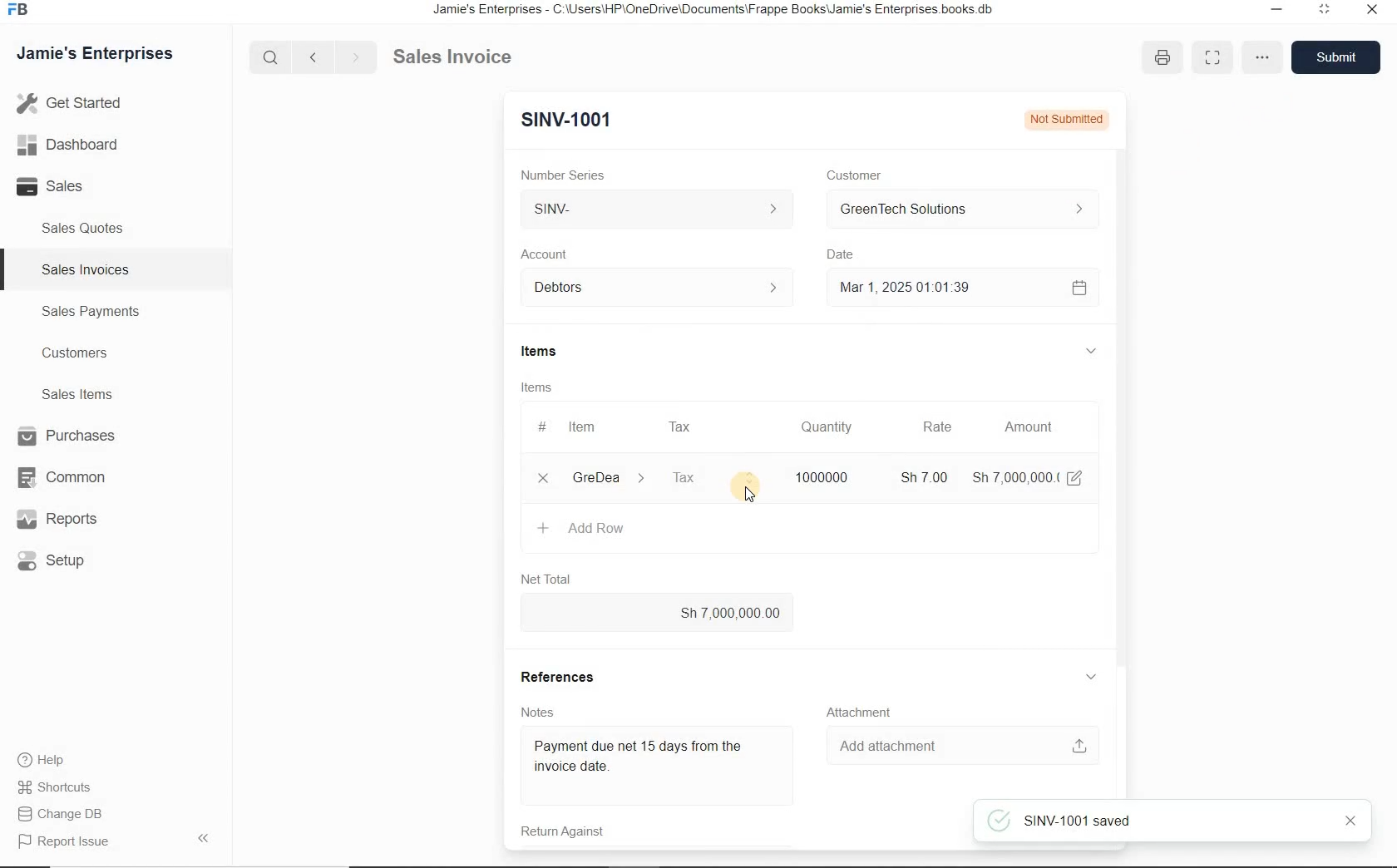  Describe the element at coordinates (999, 821) in the screenshot. I see `tick mark` at that location.